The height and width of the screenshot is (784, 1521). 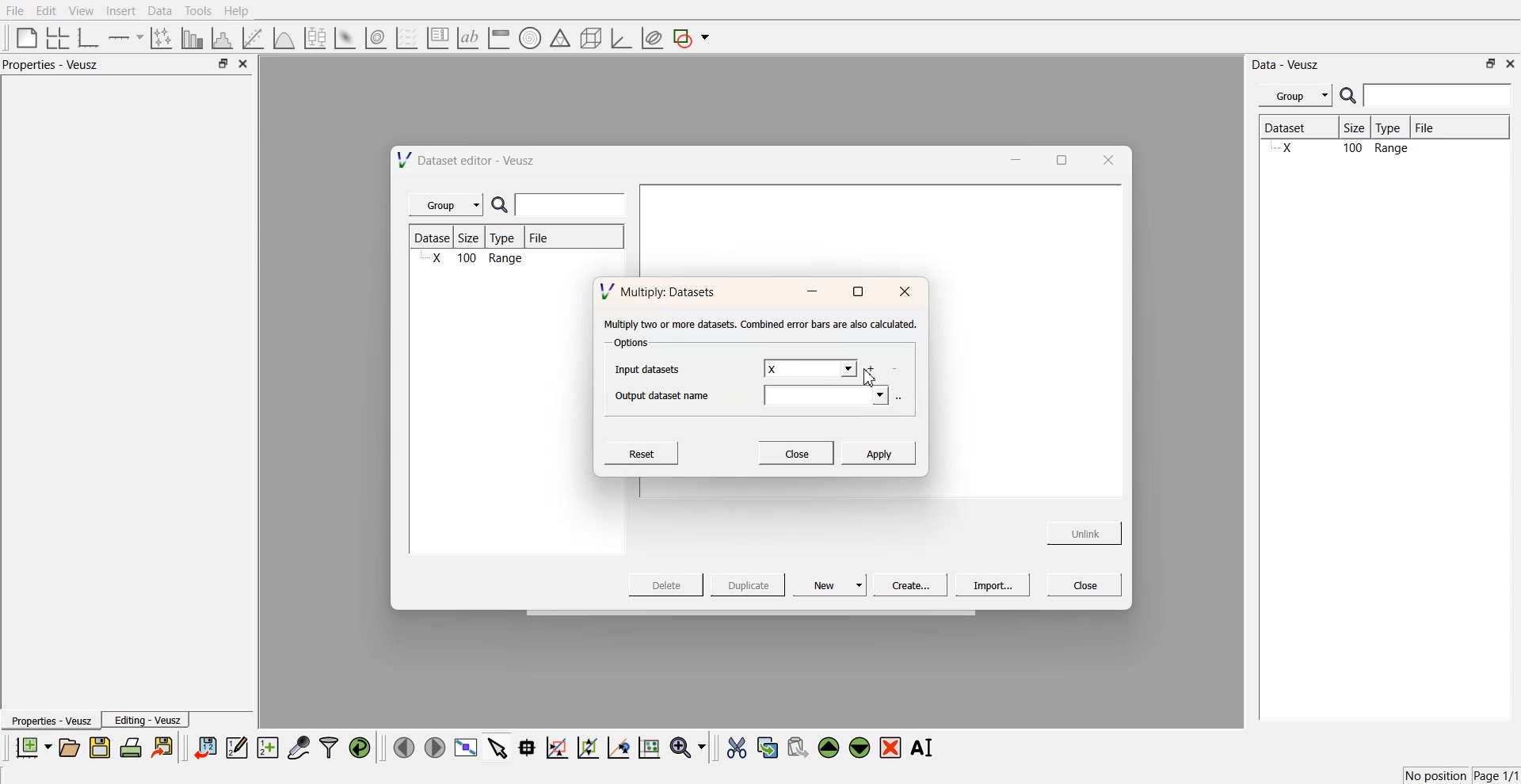 I want to click on Output dataset name, so click(x=668, y=395).